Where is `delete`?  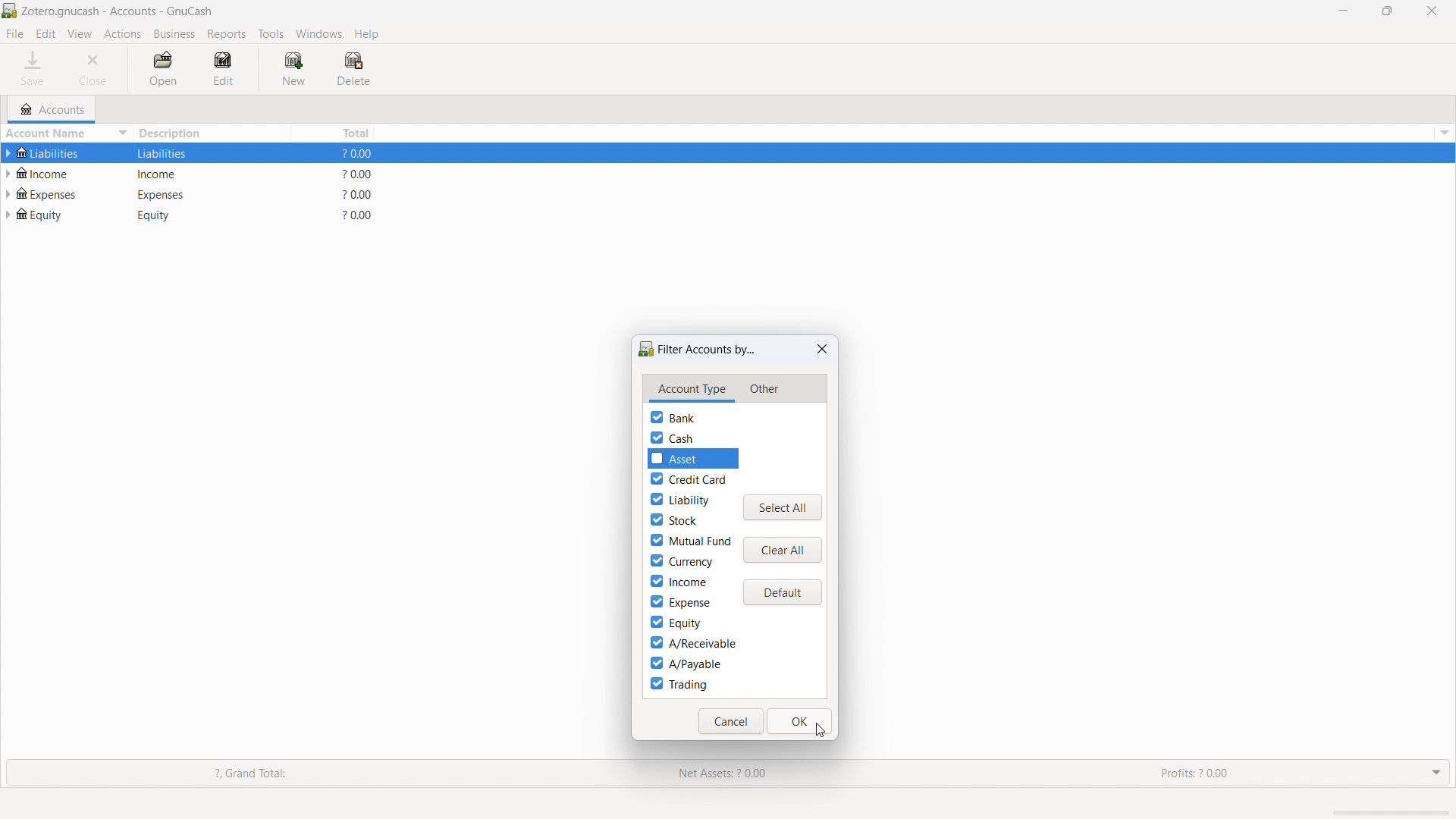
delete is located at coordinates (353, 69).